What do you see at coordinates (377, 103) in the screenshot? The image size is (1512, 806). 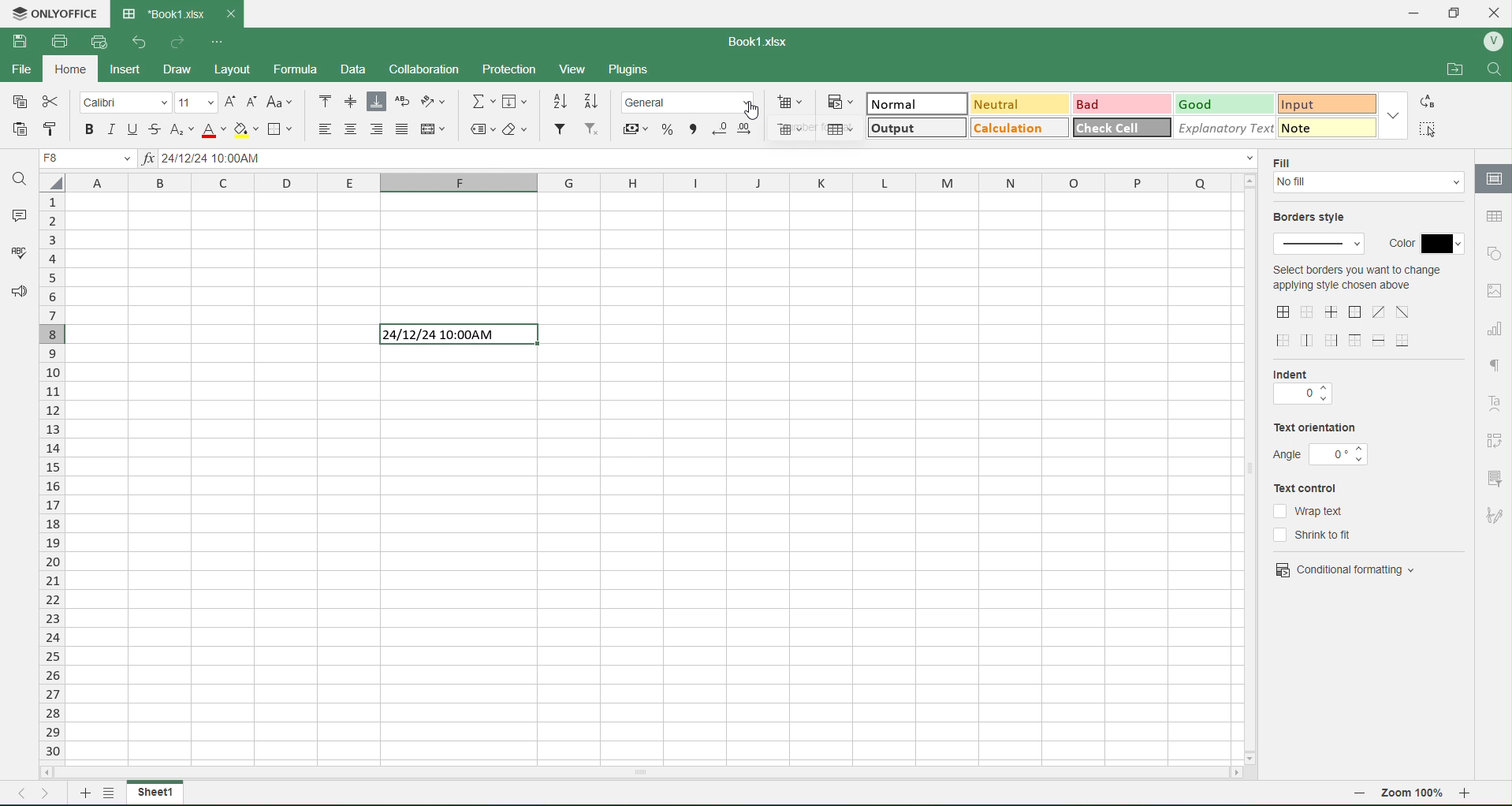 I see `Align Bottom` at bounding box center [377, 103].